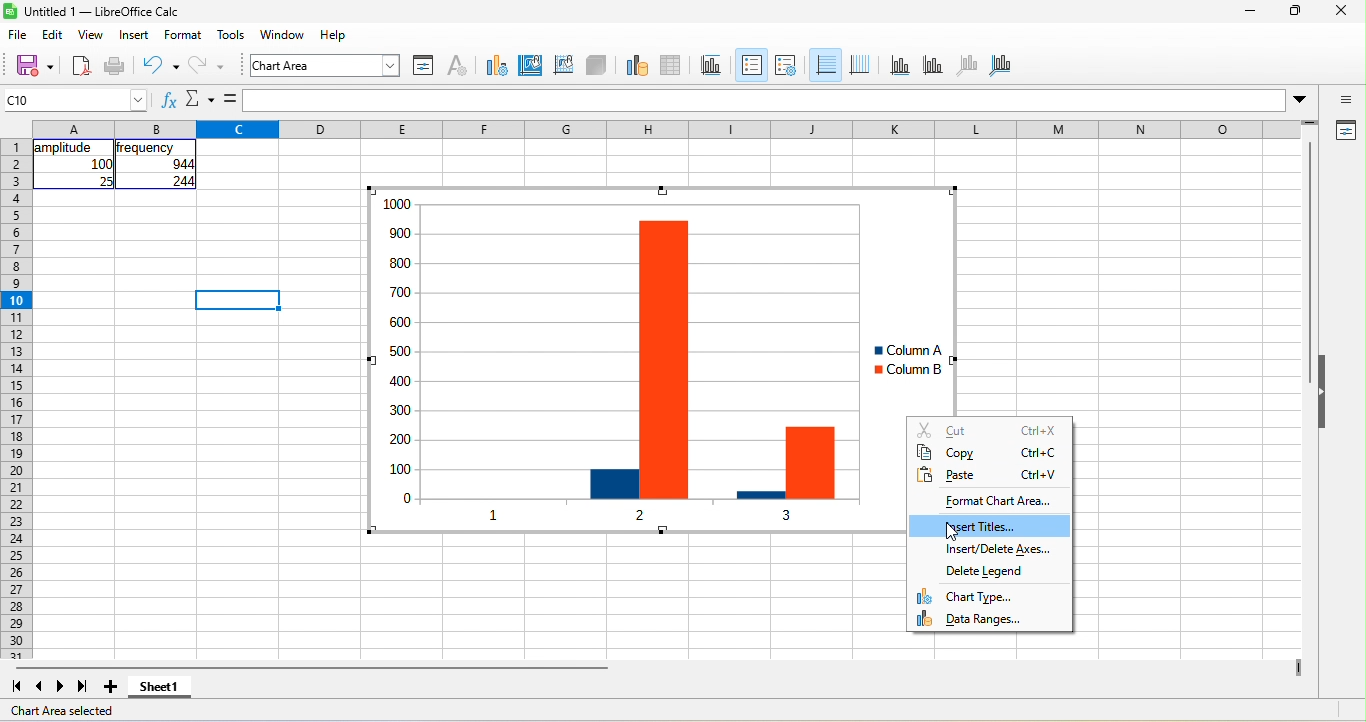 The height and width of the screenshot is (722, 1366). I want to click on insert titles, highlighted by cursor, so click(990, 526).